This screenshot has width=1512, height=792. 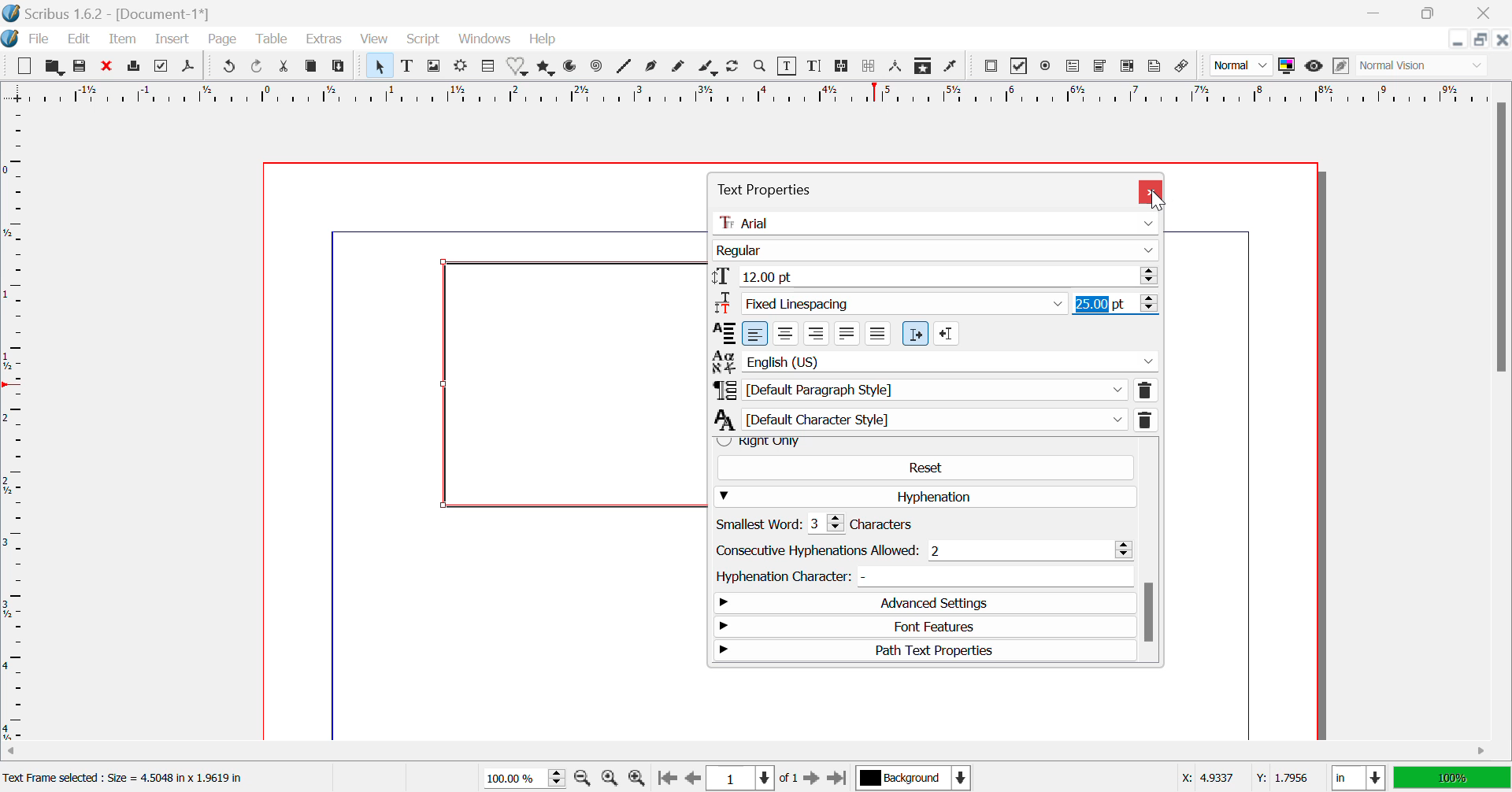 What do you see at coordinates (595, 69) in the screenshot?
I see `Spiral` at bounding box center [595, 69].